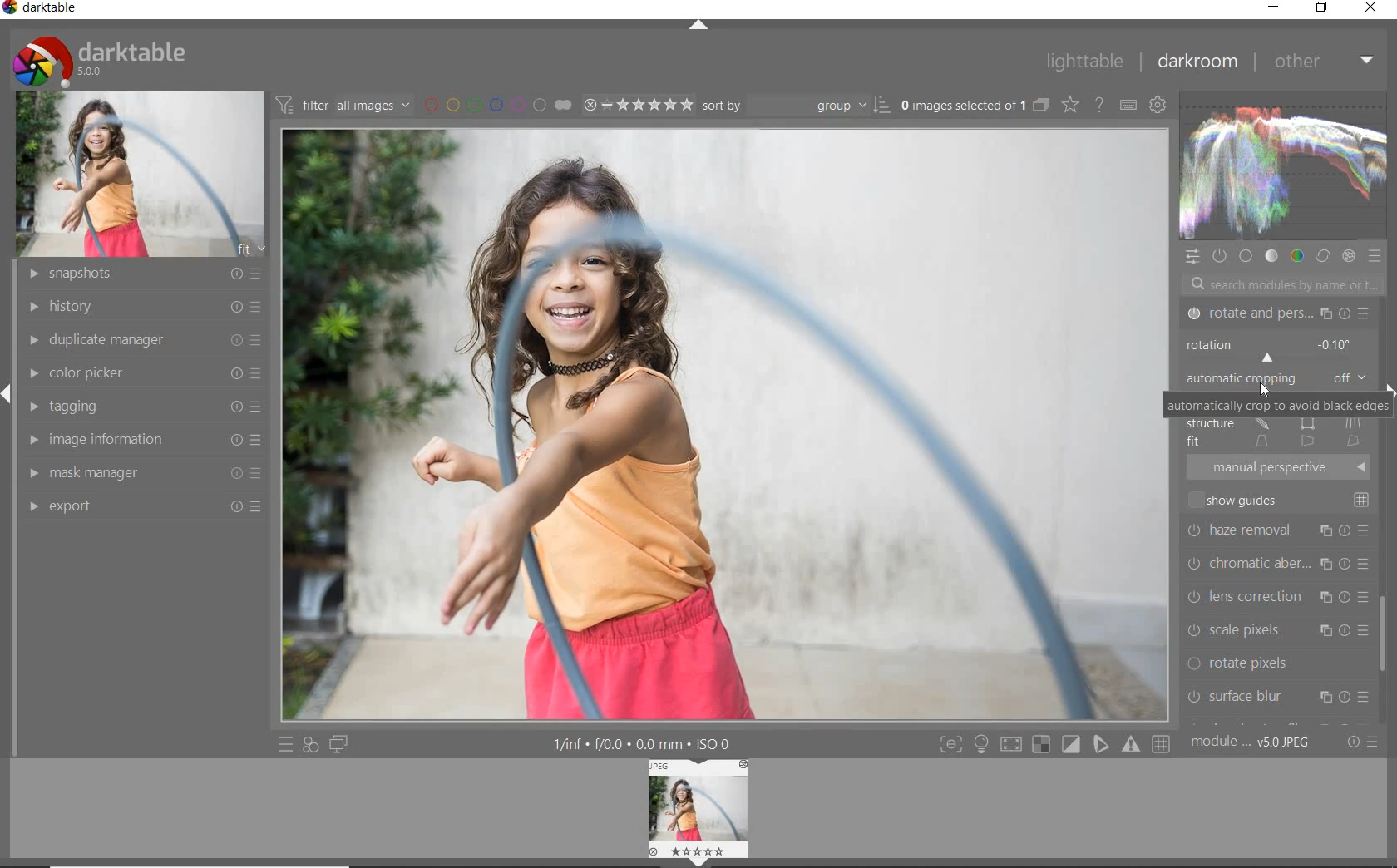 The image size is (1397, 868). Describe the element at coordinates (42, 10) in the screenshot. I see `system name` at that location.